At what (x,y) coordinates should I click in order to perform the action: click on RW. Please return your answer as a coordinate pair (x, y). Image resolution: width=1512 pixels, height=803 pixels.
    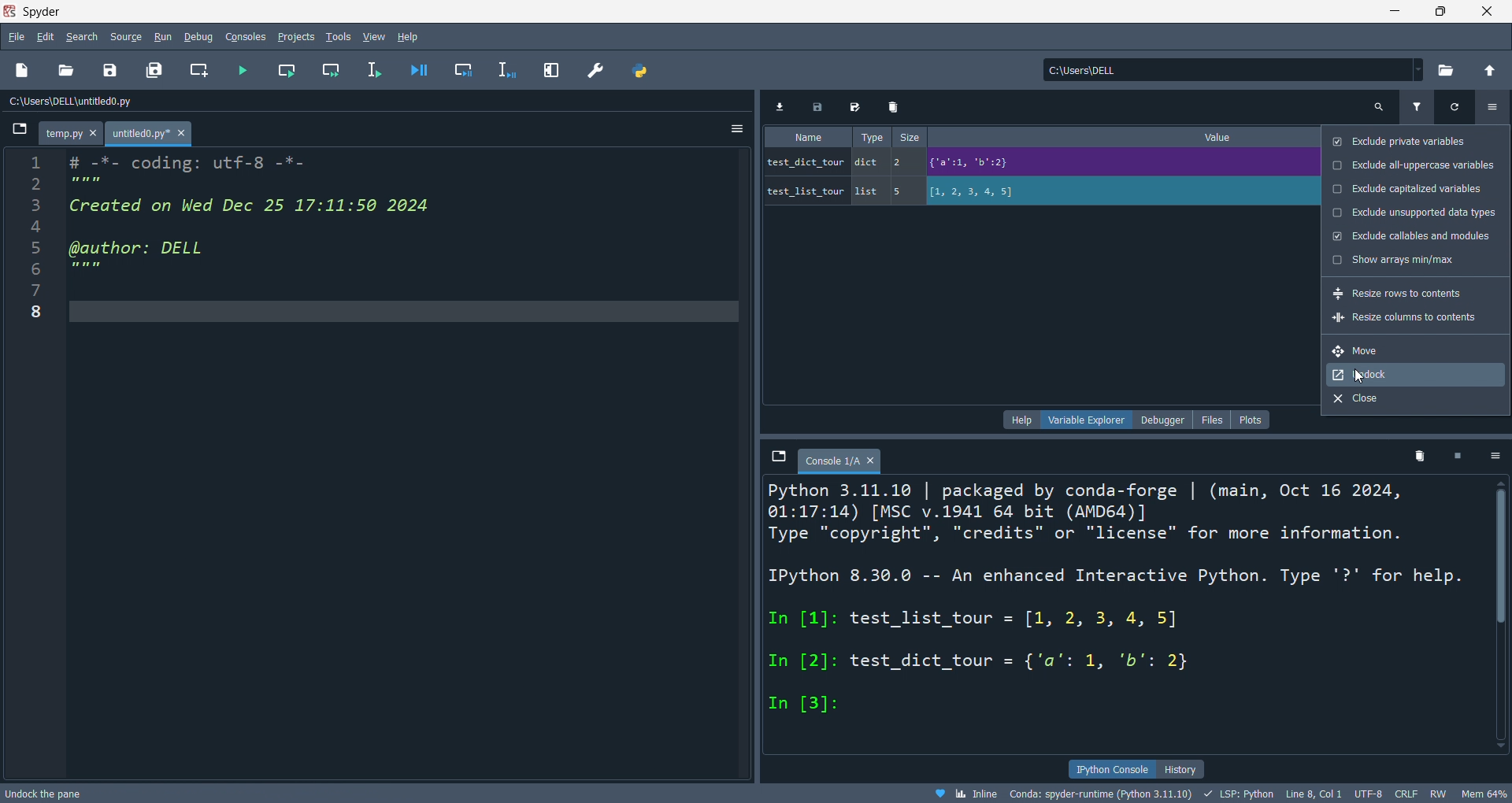
    Looking at the image, I should click on (1443, 792).